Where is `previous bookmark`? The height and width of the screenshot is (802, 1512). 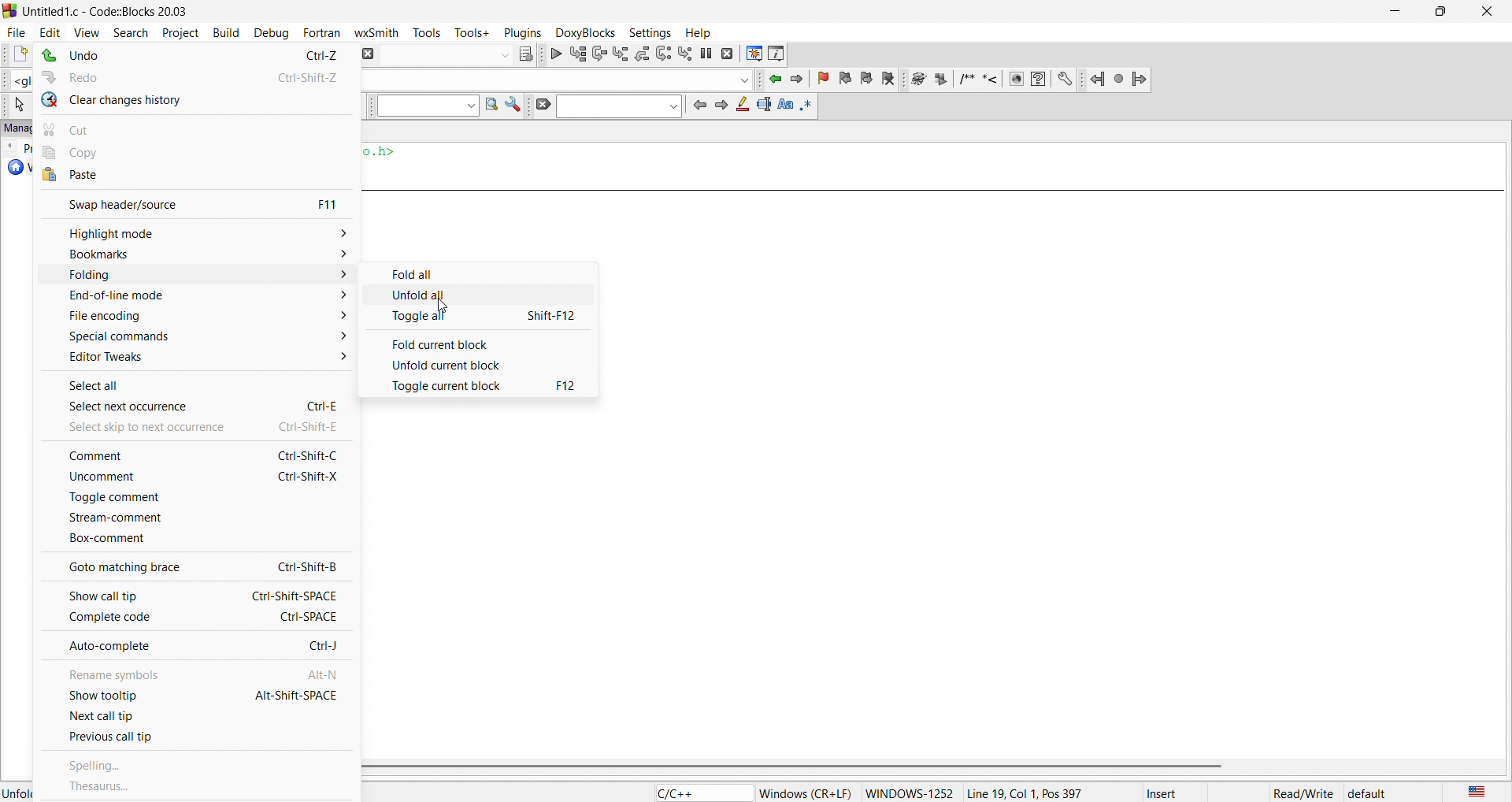
previous bookmark is located at coordinates (847, 76).